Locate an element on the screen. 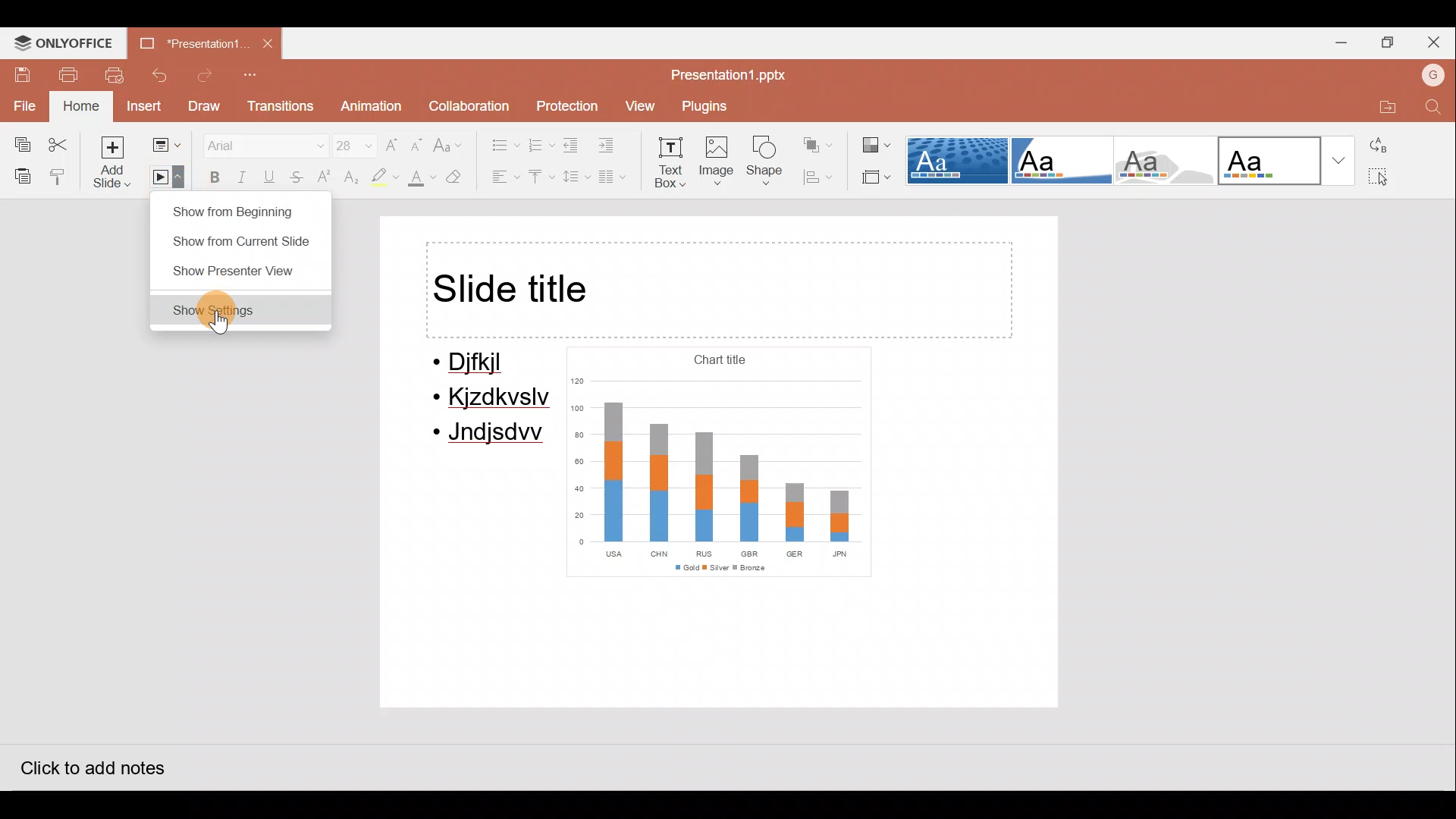 The width and height of the screenshot is (1456, 819). Shape is located at coordinates (765, 163).